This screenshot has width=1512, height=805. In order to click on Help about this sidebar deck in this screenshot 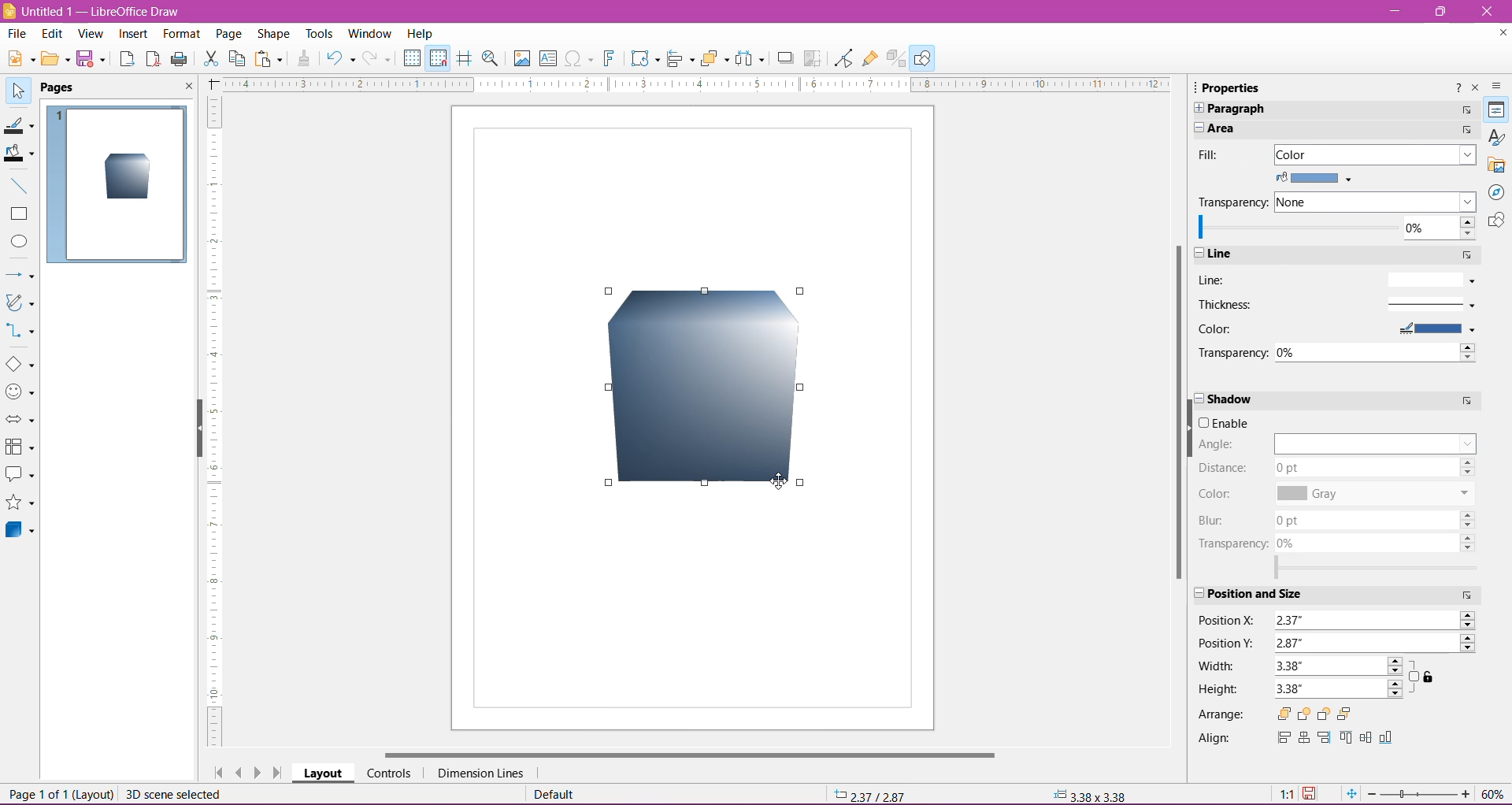, I will do `click(1456, 91)`.